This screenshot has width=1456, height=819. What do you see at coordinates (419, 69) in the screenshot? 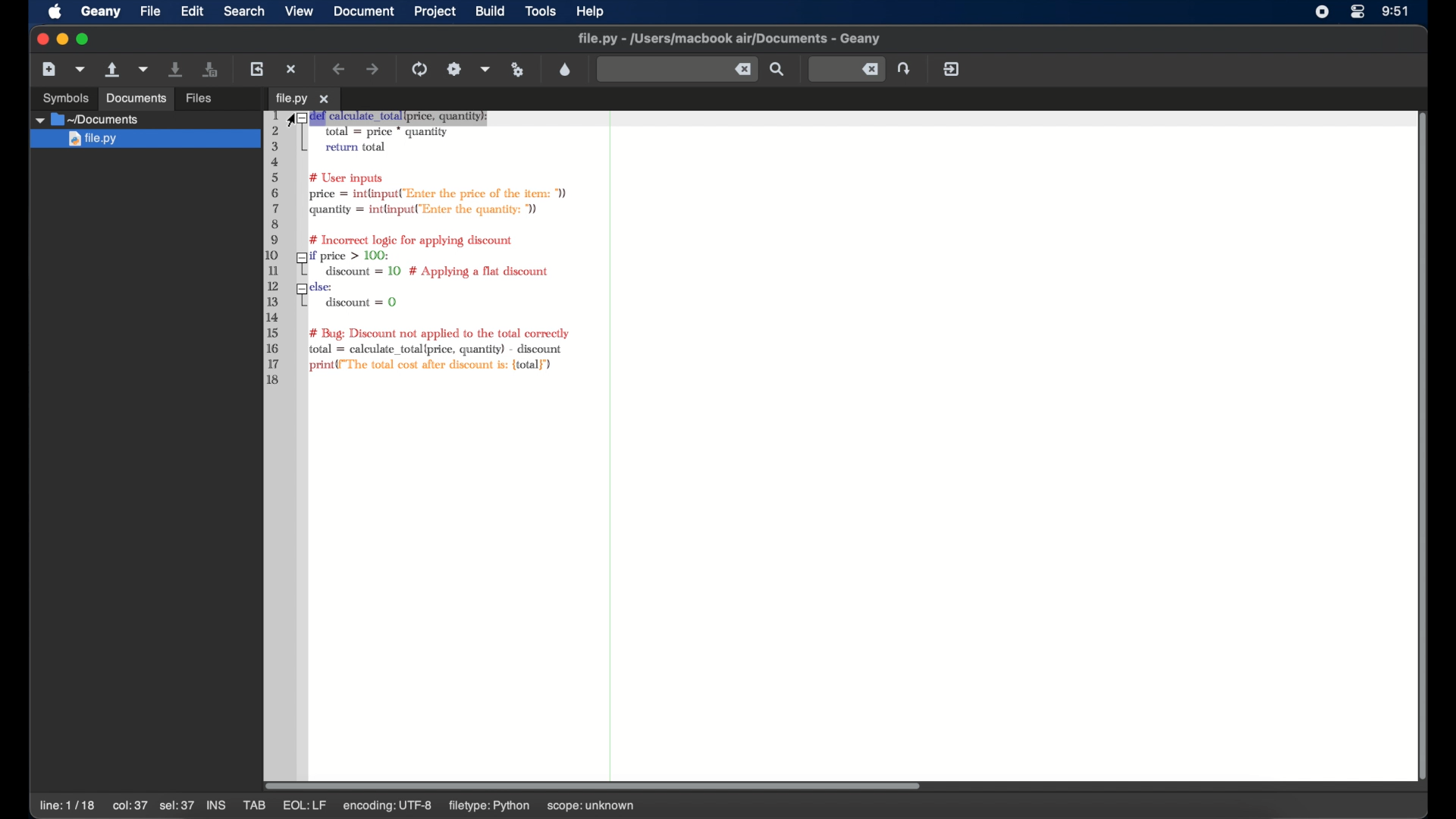
I see `compile the current file` at bounding box center [419, 69].